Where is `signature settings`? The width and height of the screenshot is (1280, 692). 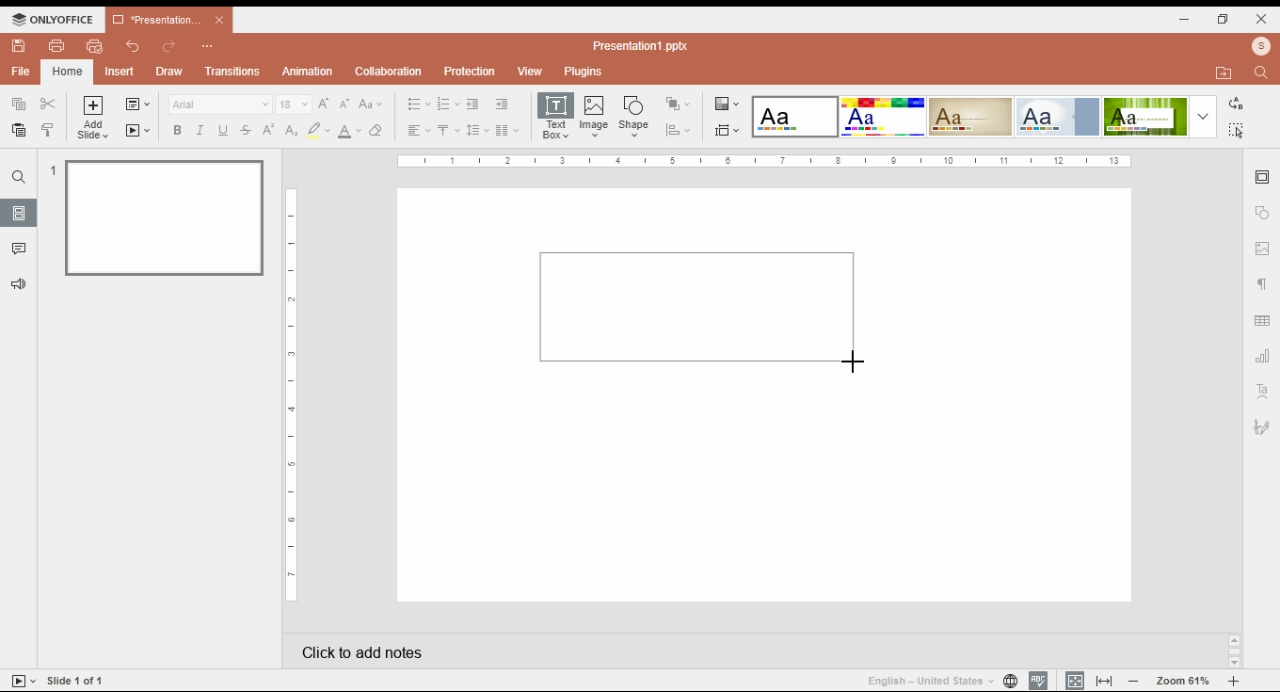 signature settings is located at coordinates (1264, 427).